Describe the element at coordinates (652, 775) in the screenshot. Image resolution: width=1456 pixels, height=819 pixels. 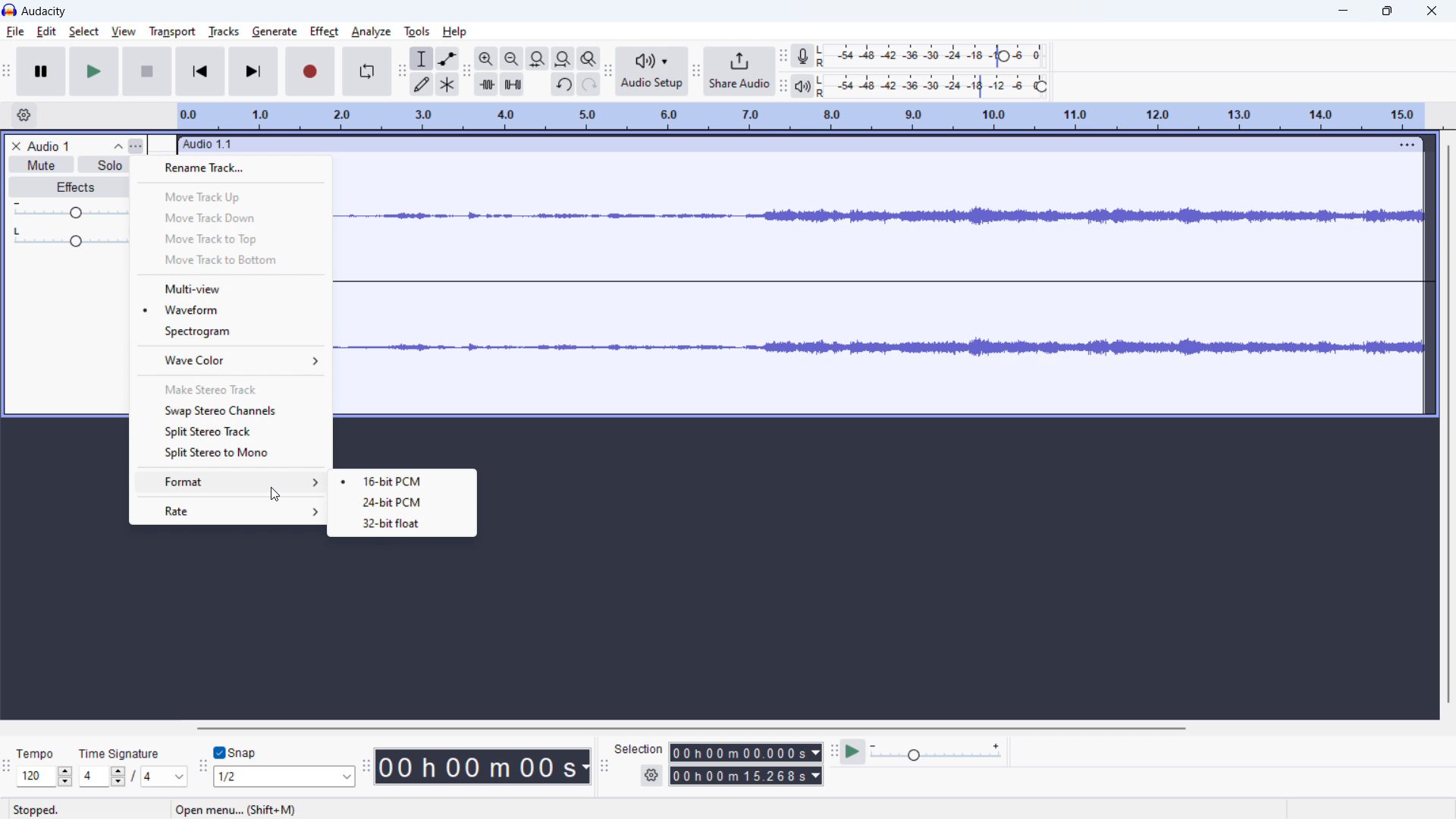
I see `settings` at that location.